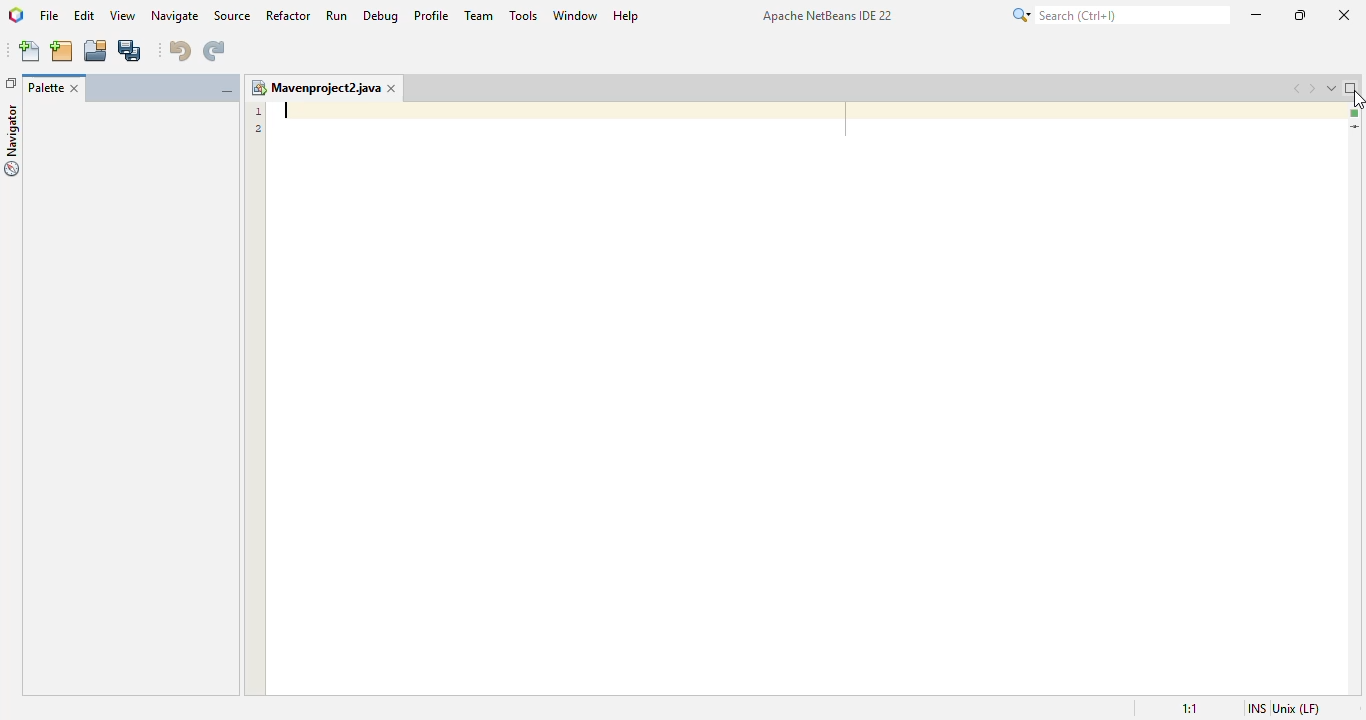 Image resolution: width=1366 pixels, height=720 pixels. What do you see at coordinates (16, 15) in the screenshot?
I see `logo` at bounding box center [16, 15].